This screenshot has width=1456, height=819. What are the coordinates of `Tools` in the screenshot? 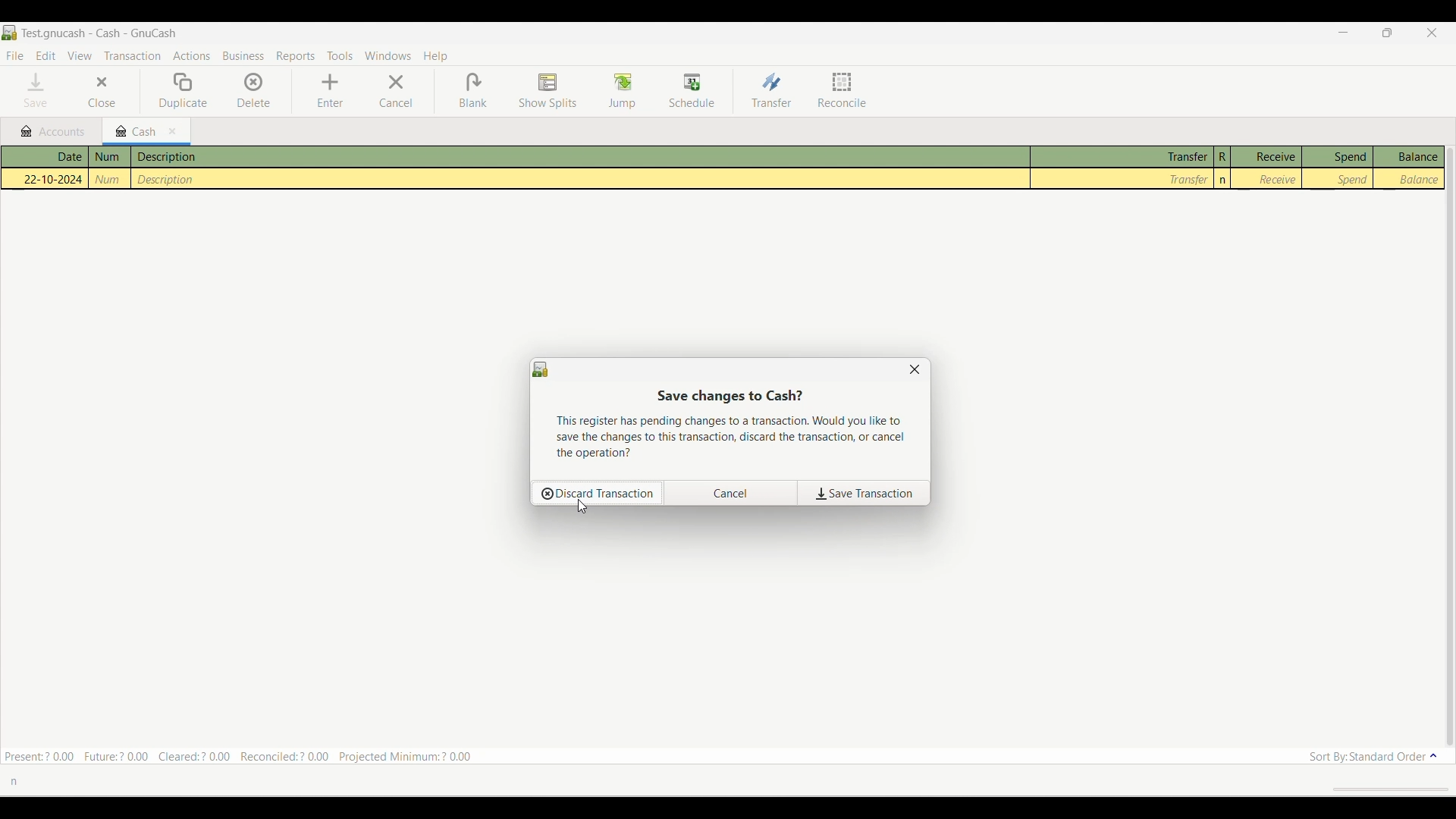 It's located at (340, 55).